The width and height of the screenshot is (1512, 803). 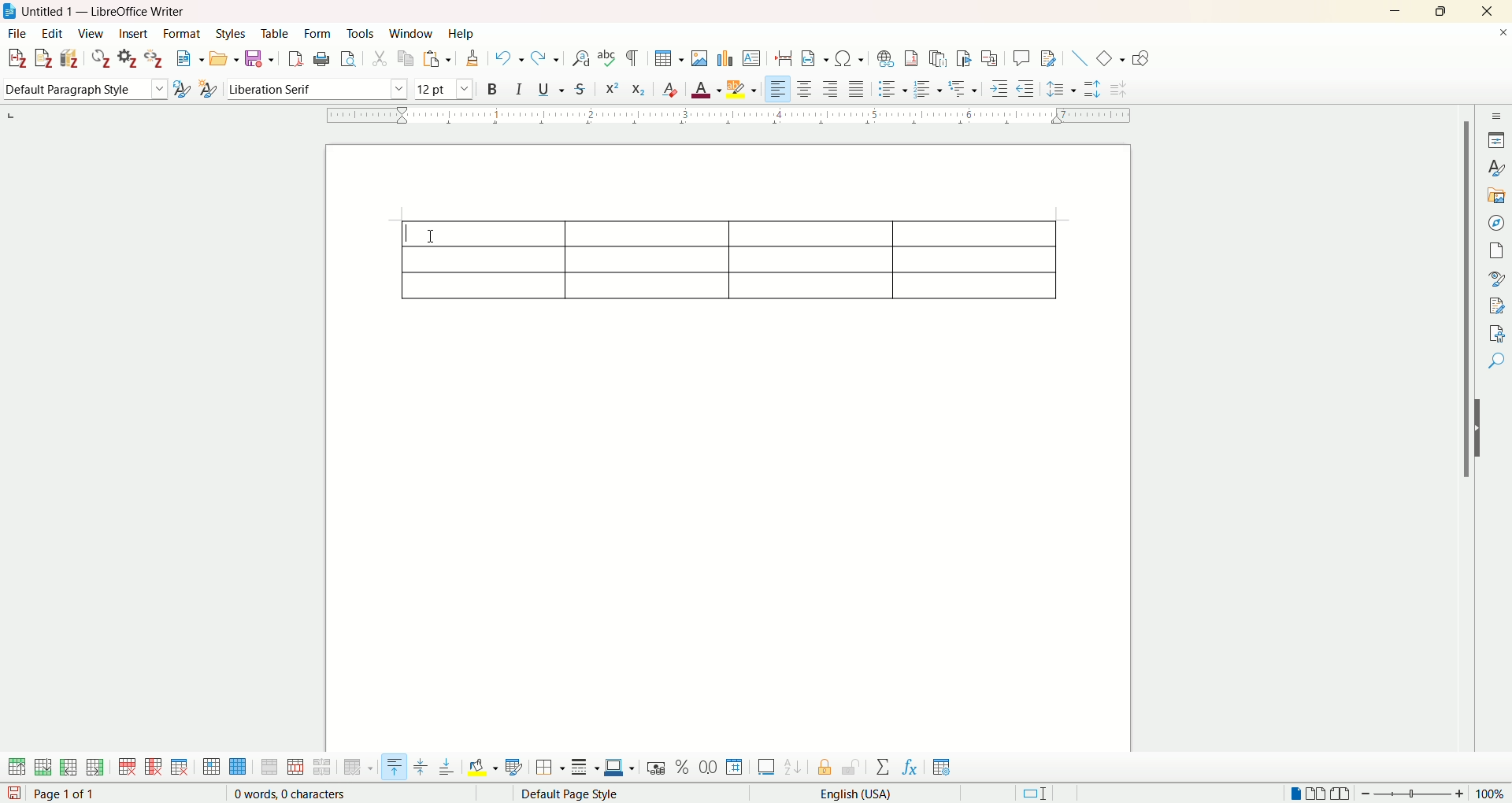 I want to click on format outline, so click(x=965, y=89).